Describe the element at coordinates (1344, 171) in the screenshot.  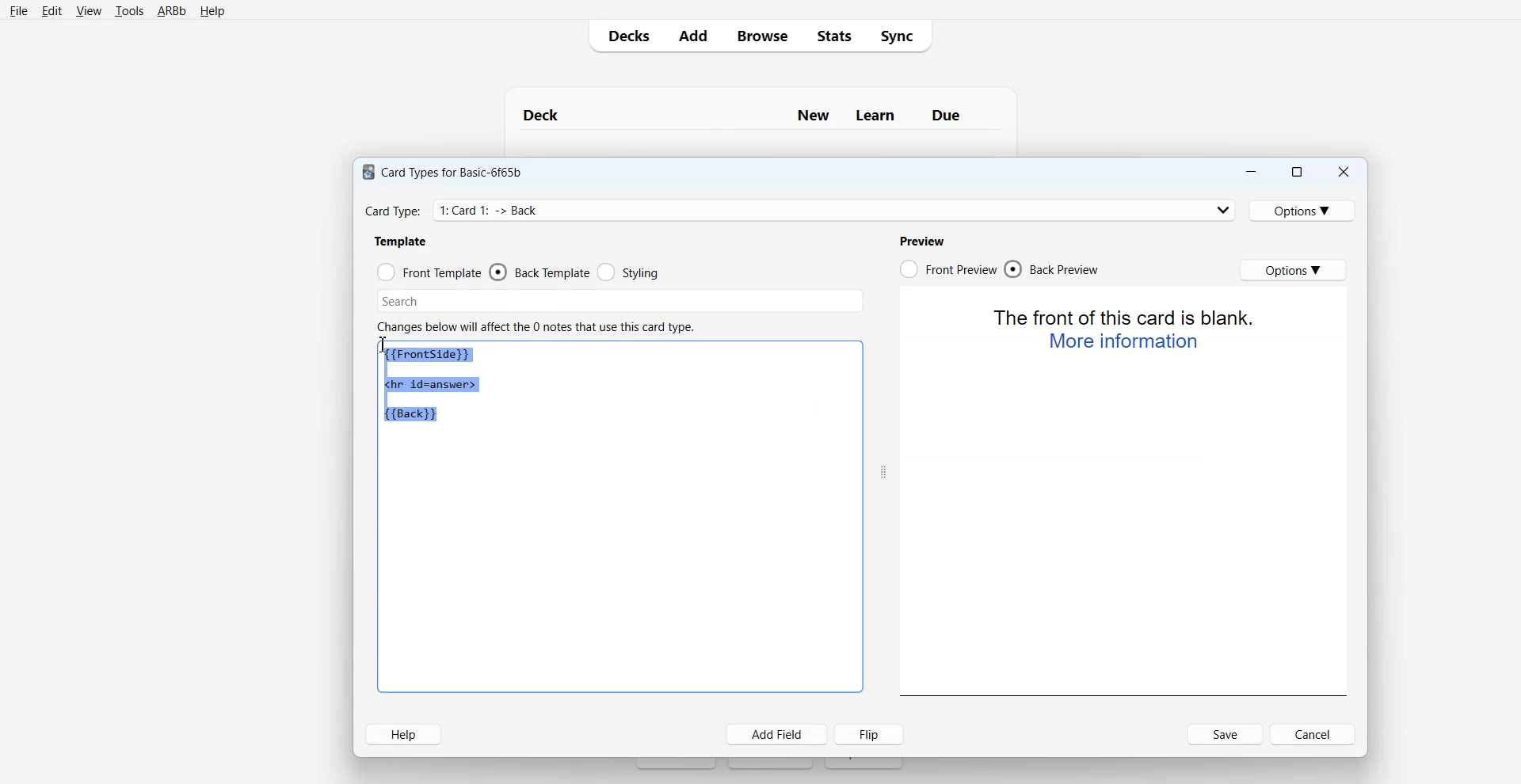
I see `Close` at that location.